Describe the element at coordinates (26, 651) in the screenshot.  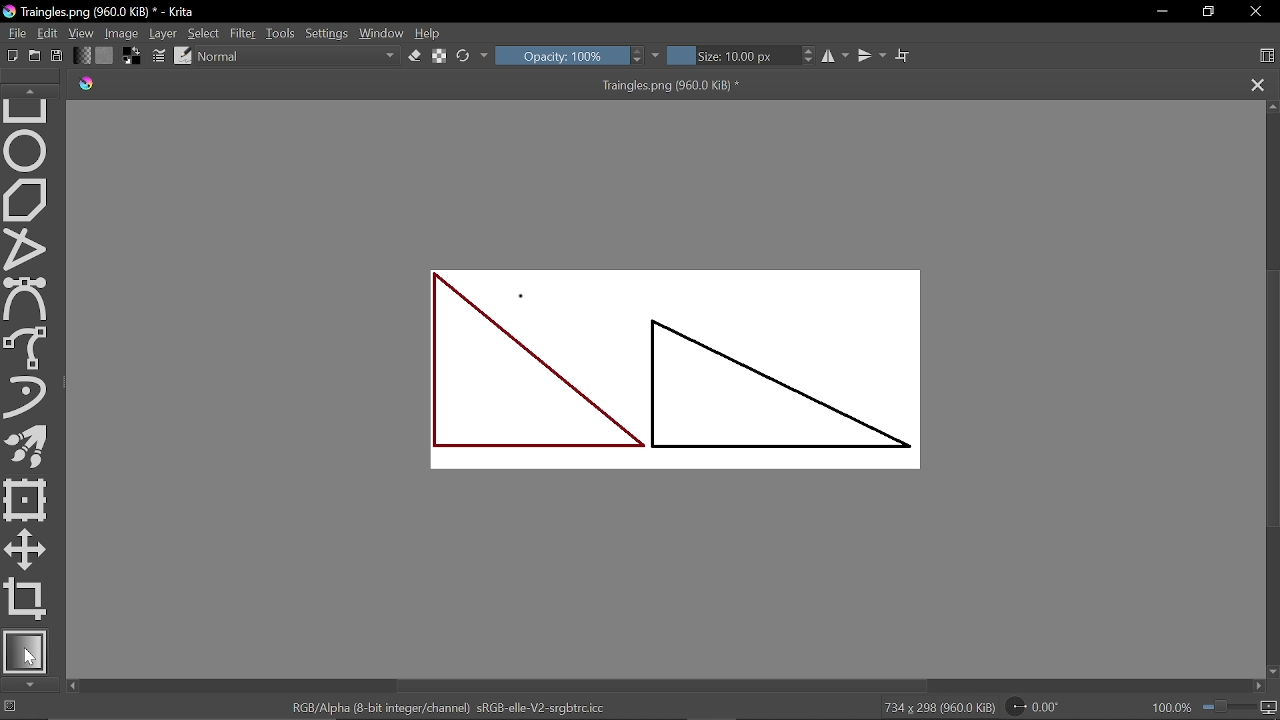
I see `Gradient tool` at that location.